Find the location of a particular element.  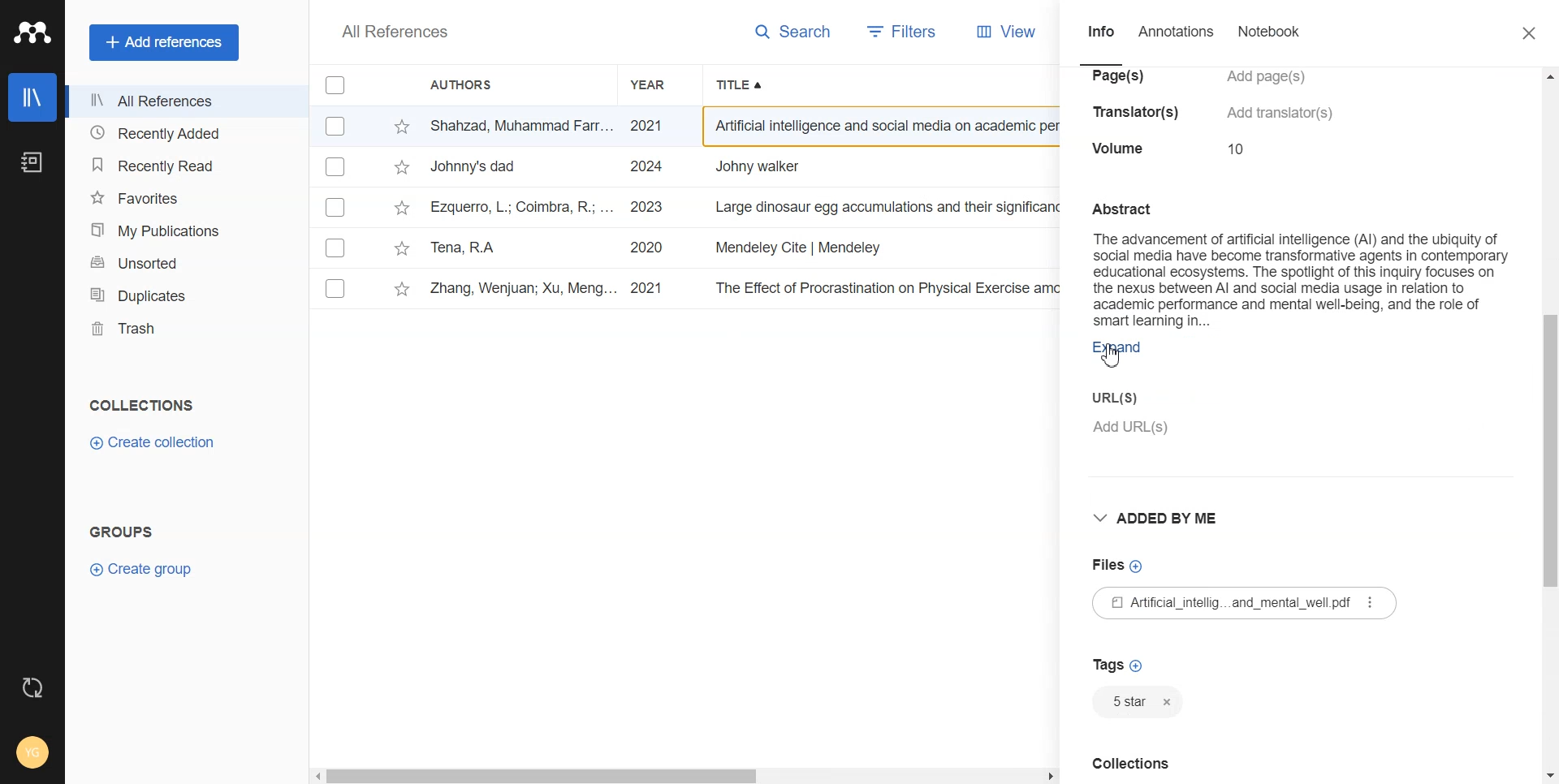

Enter URL is located at coordinates (1116, 397).